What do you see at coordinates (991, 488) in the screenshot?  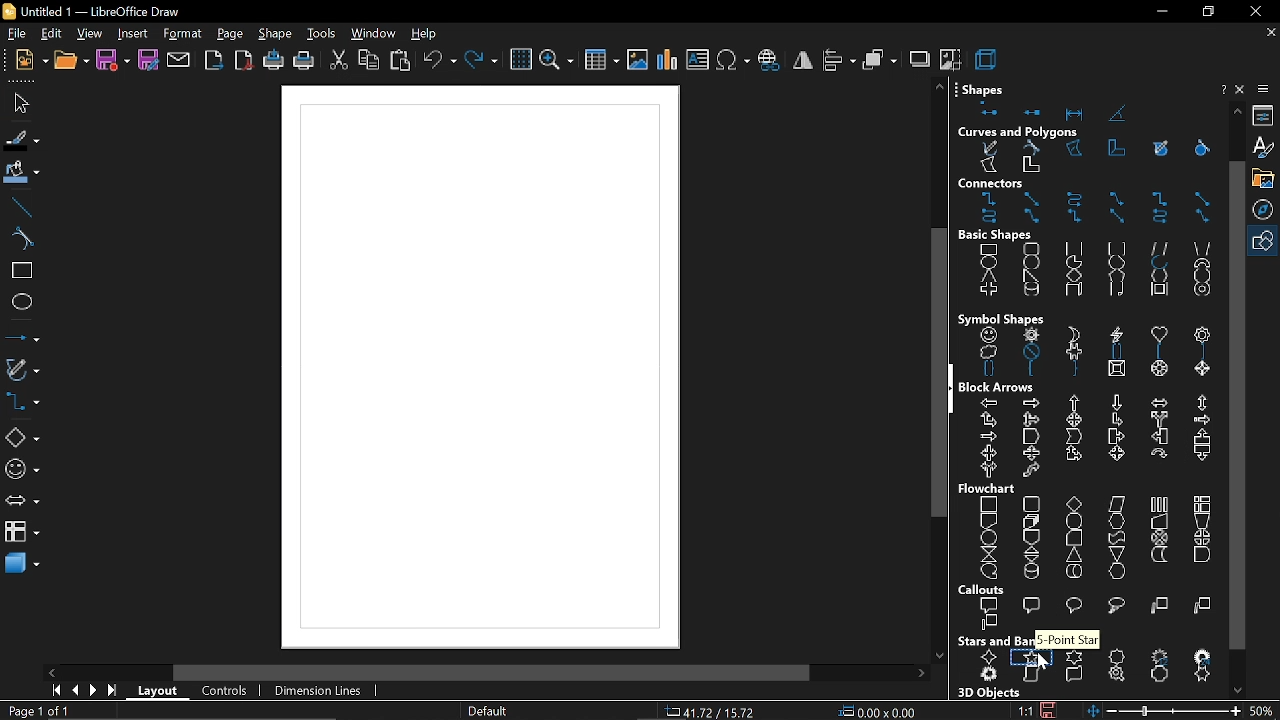 I see `flowchart` at bounding box center [991, 488].